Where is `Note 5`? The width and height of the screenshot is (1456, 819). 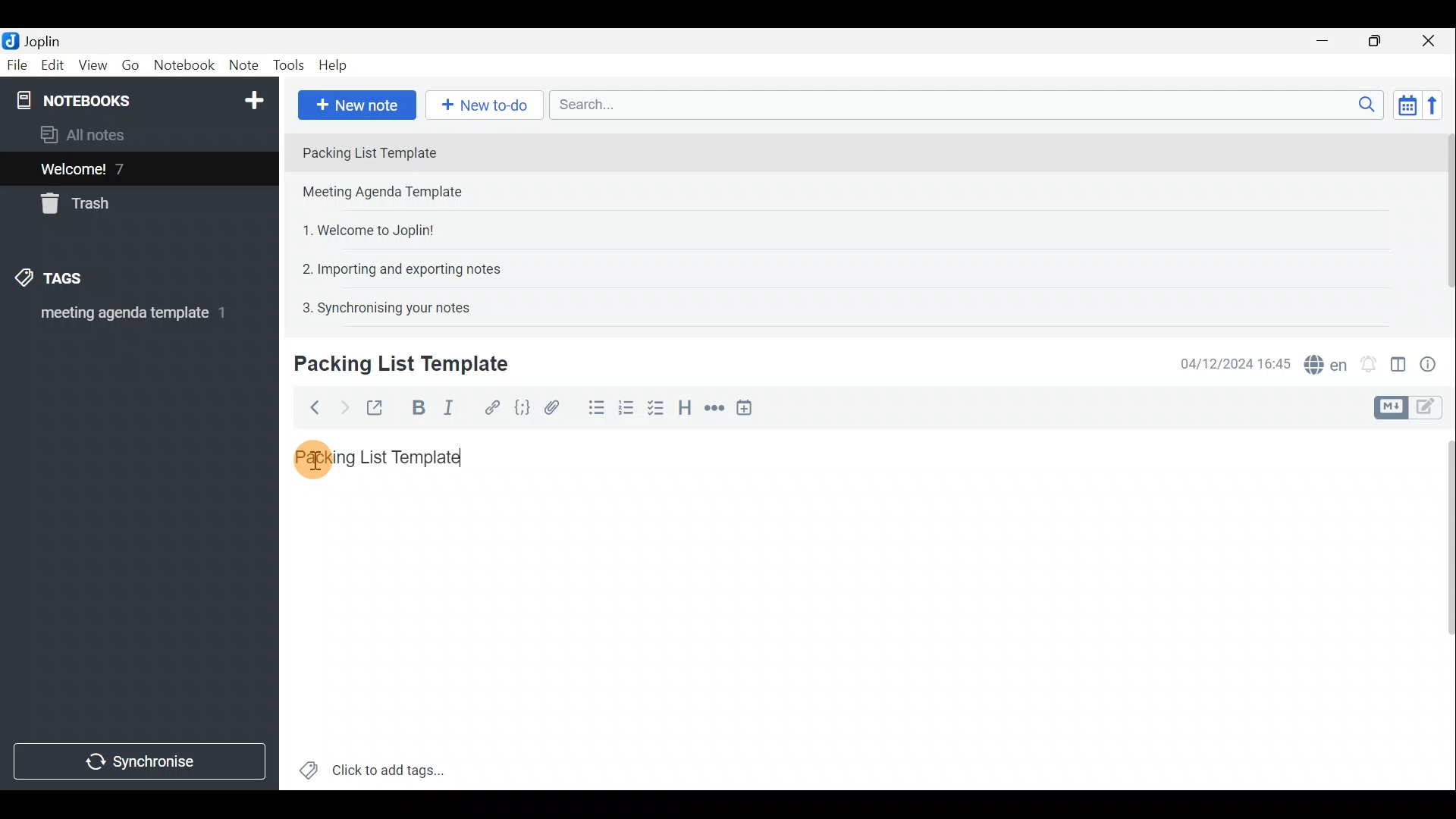
Note 5 is located at coordinates (380, 306).